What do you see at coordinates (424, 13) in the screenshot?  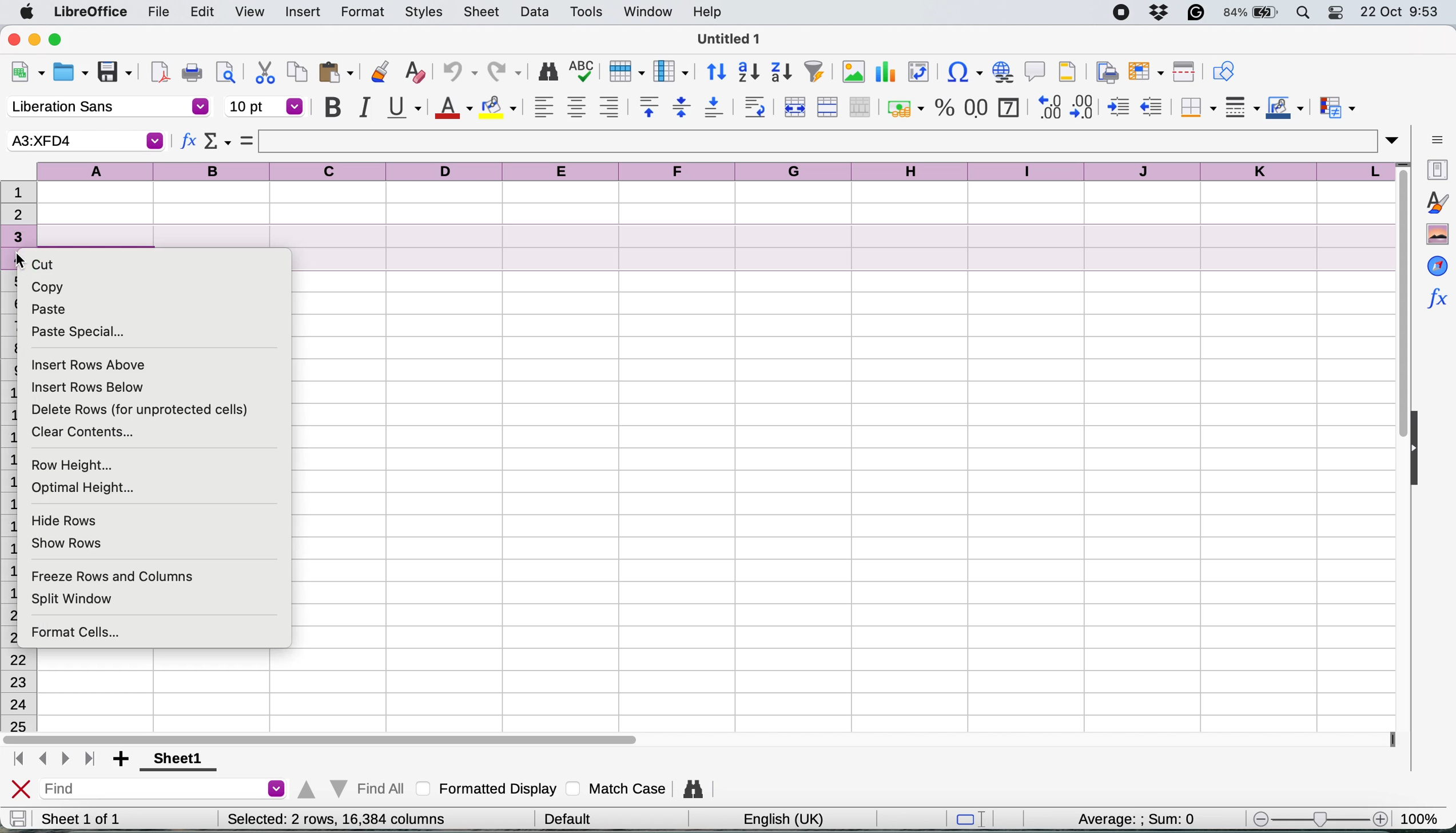 I see `styles` at bounding box center [424, 13].